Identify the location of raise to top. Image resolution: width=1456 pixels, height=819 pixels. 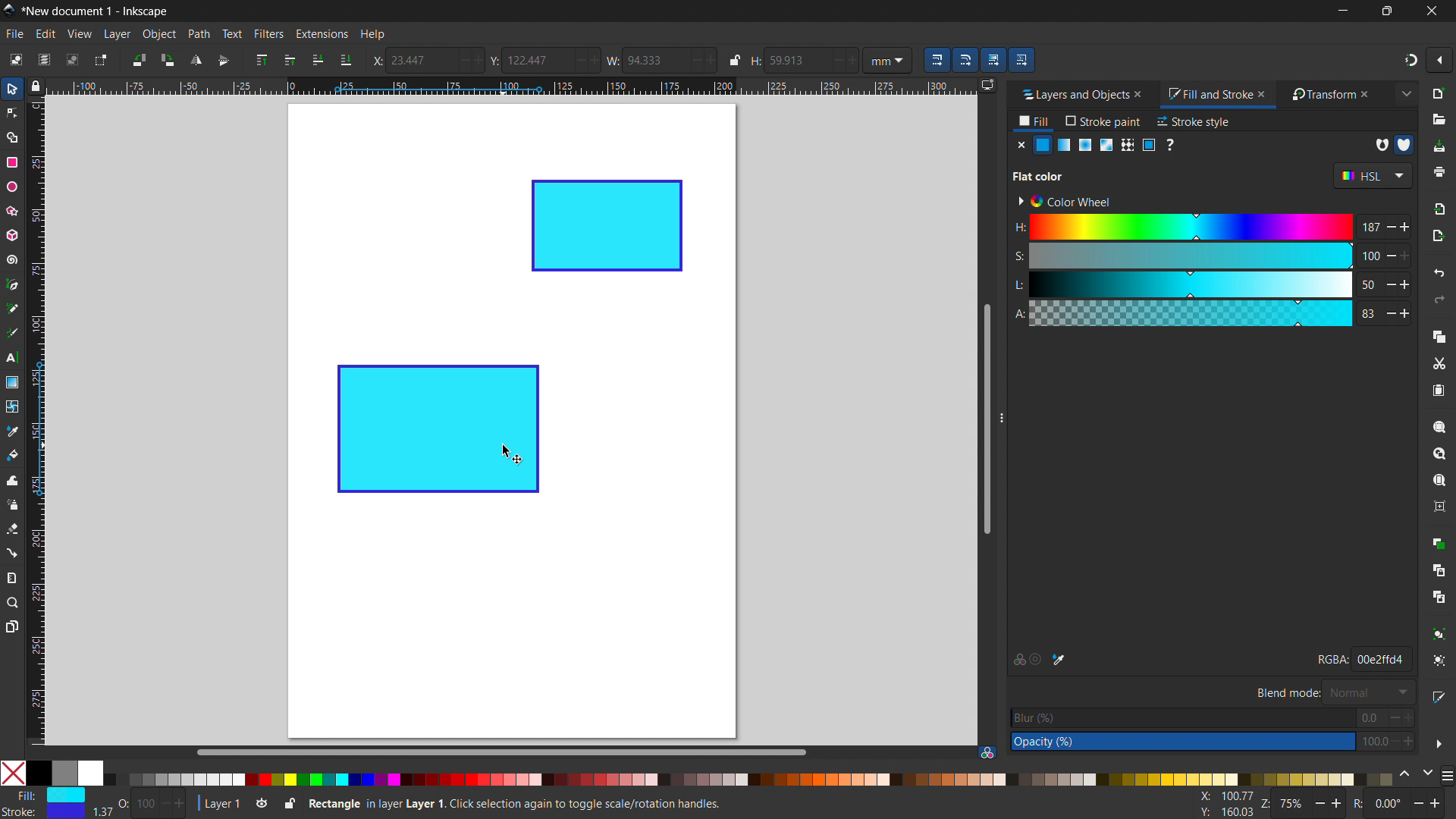
(262, 60).